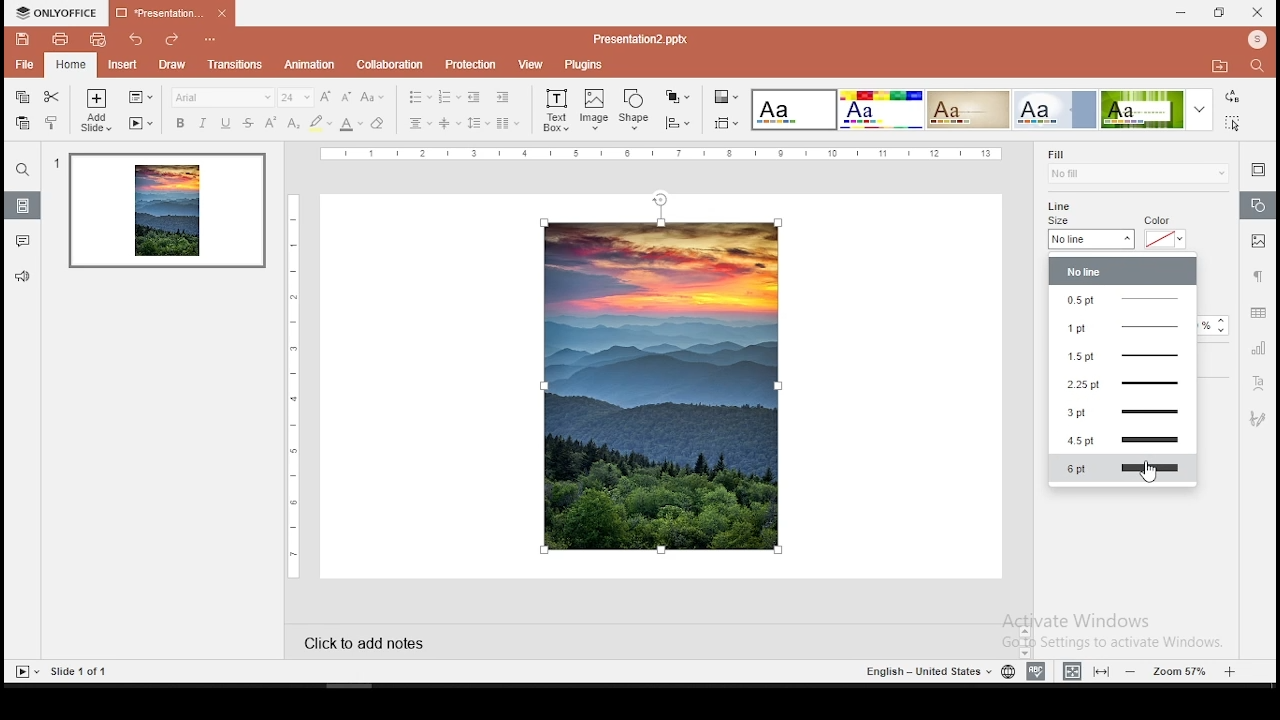 This screenshot has width=1280, height=720. I want to click on font size, so click(296, 97).